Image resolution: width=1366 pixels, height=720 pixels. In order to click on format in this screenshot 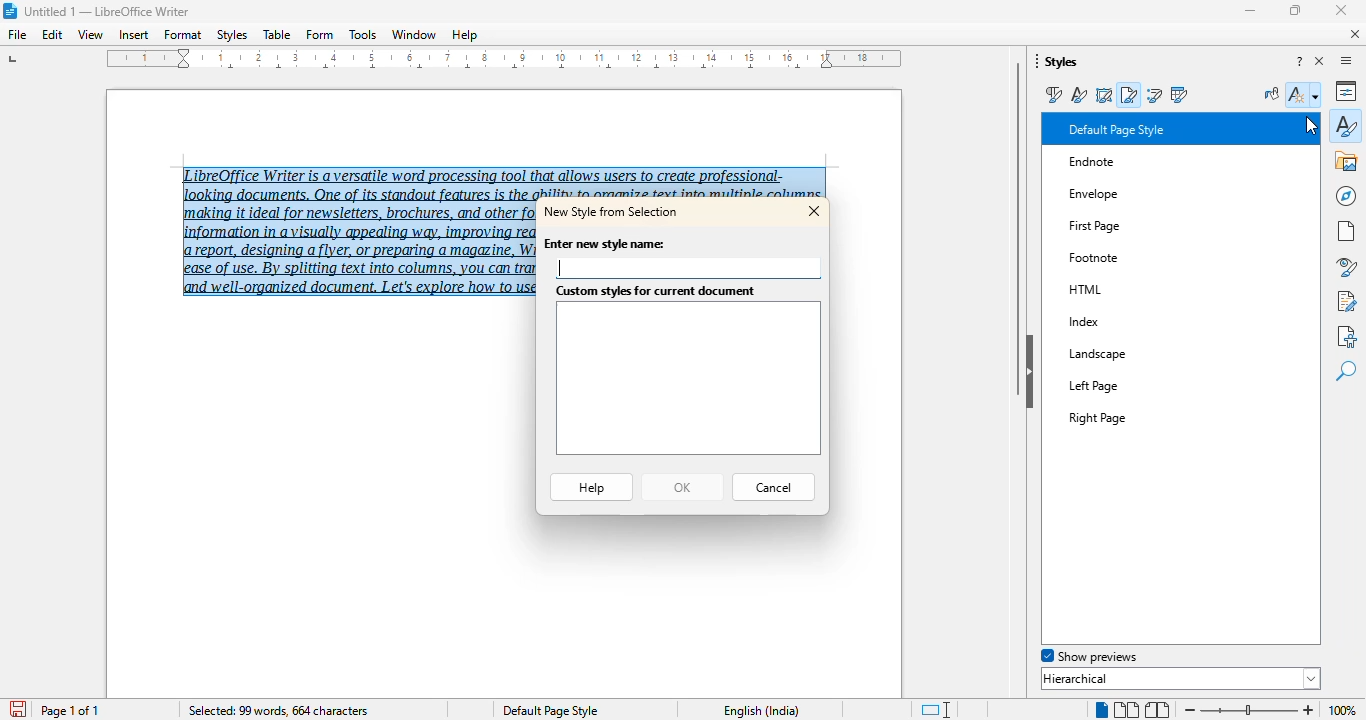, I will do `click(183, 34)`.